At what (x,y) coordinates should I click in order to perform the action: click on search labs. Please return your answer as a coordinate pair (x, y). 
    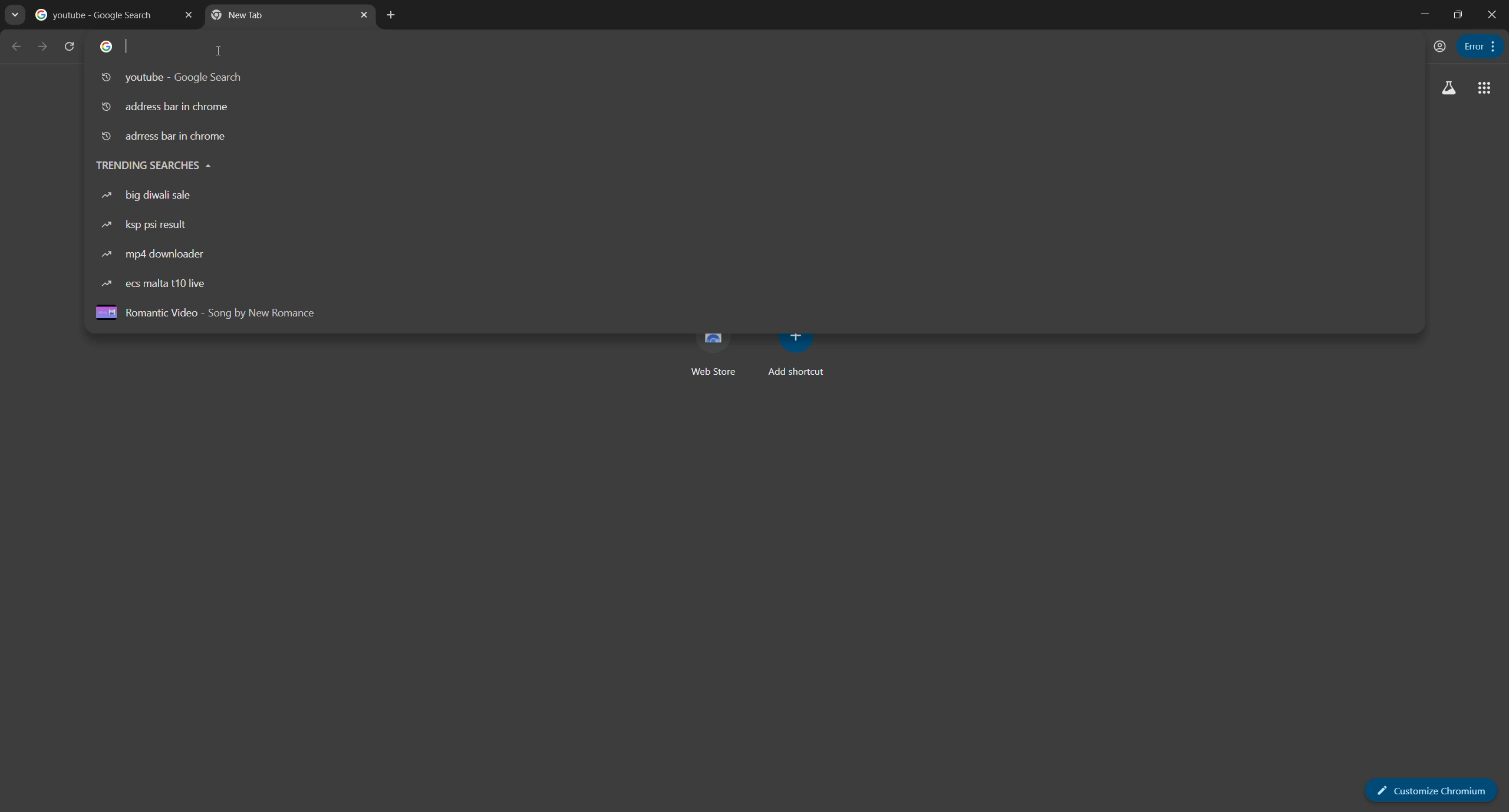
    Looking at the image, I should click on (1448, 89).